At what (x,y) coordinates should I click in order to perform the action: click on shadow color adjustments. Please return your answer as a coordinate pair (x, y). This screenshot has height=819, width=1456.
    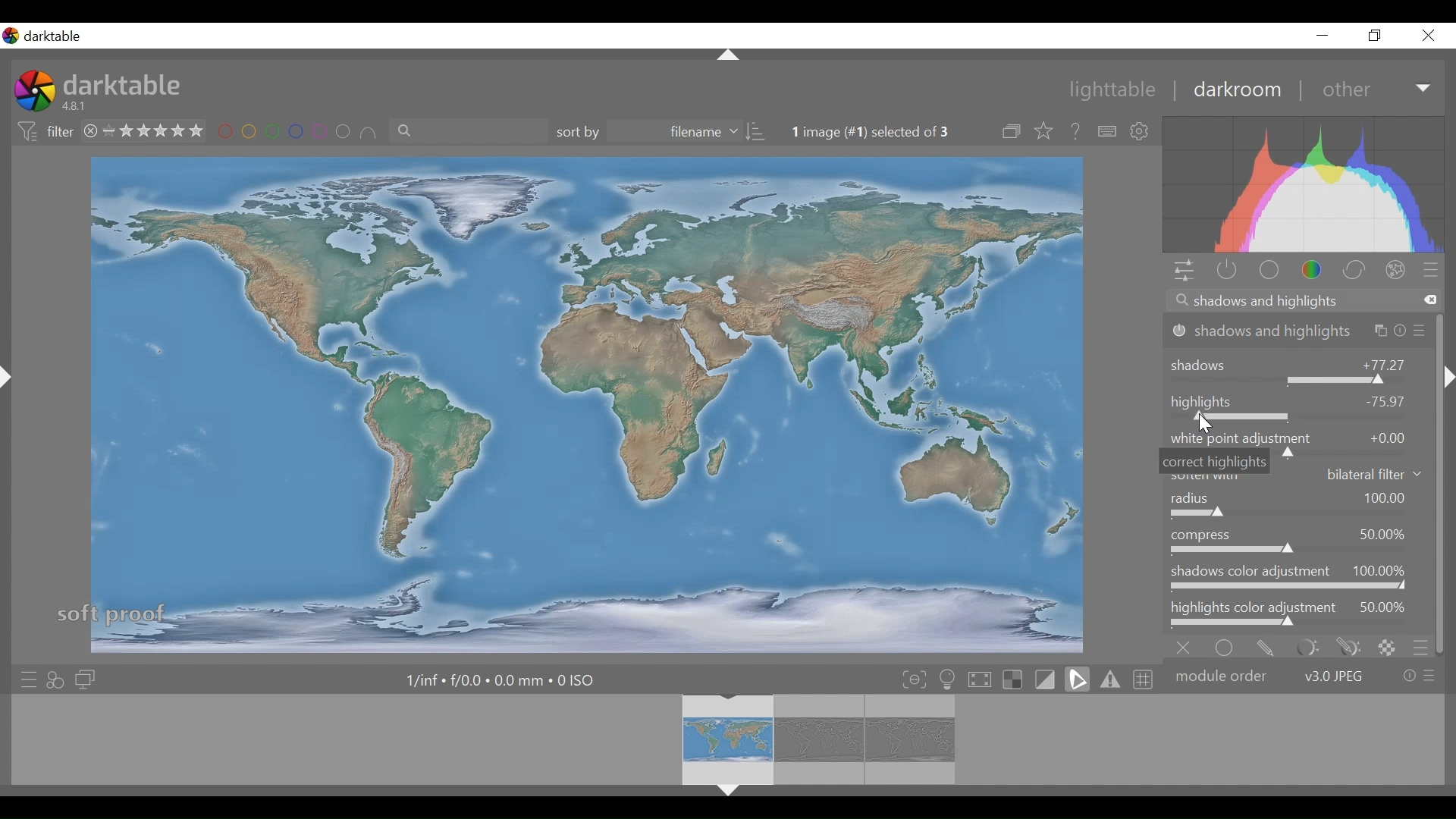
    Looking at the image, I should click on (1298, 579).